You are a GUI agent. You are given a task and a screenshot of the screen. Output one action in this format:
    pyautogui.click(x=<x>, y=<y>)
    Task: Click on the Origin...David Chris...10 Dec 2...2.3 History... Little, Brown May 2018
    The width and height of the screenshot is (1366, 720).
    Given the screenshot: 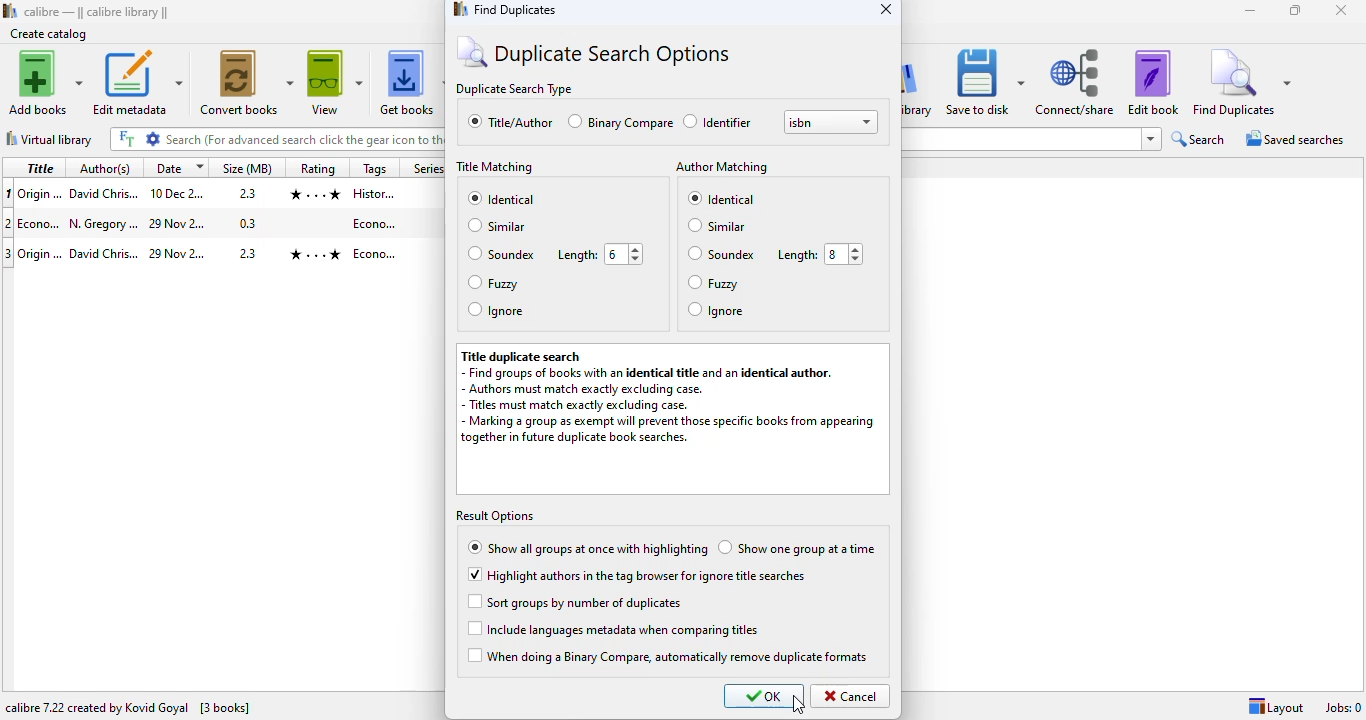 What is the action you would take?
    pyautogui.click(x=228, y=193)
    